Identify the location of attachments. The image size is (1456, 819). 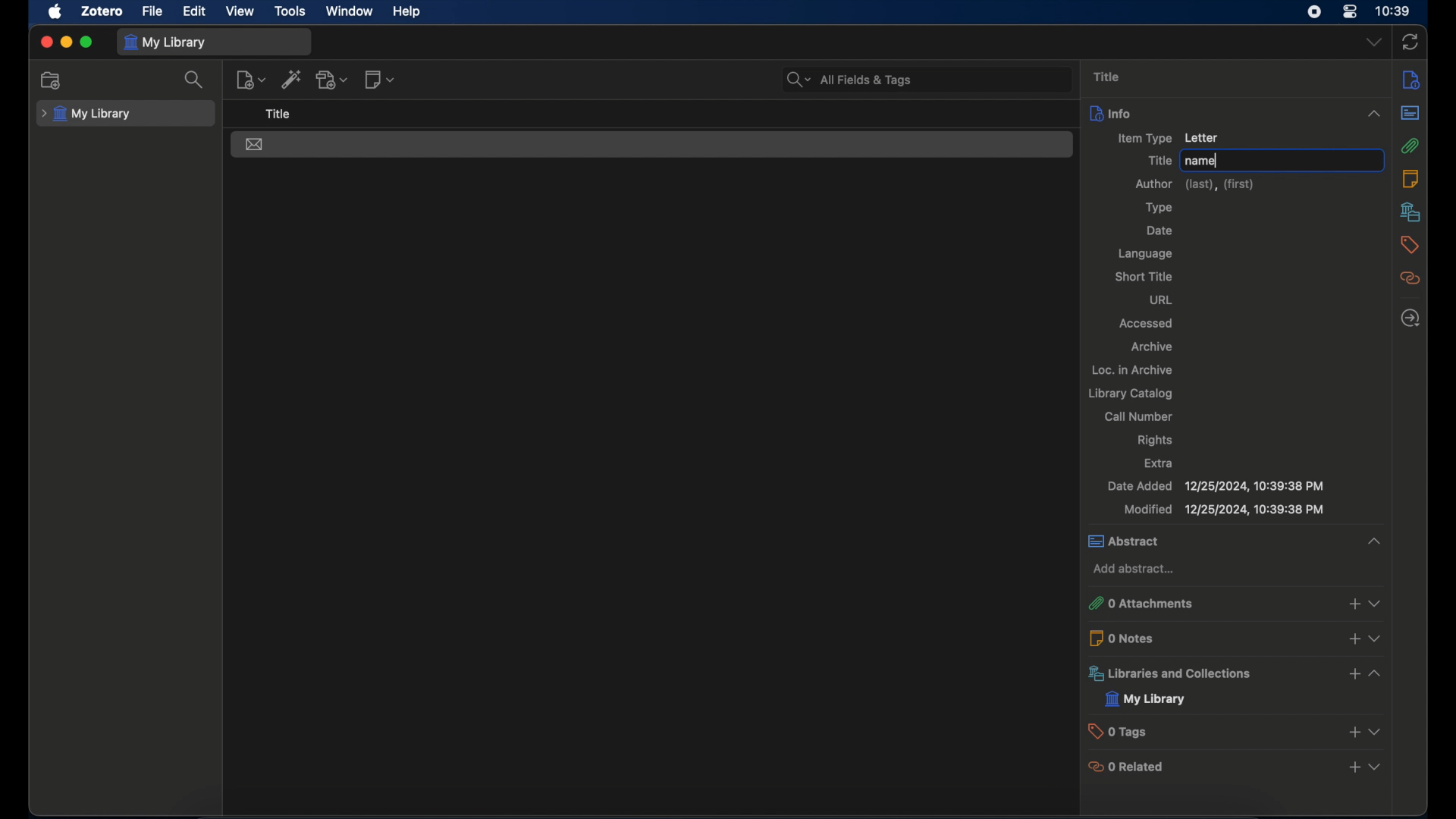
(1410, 146).